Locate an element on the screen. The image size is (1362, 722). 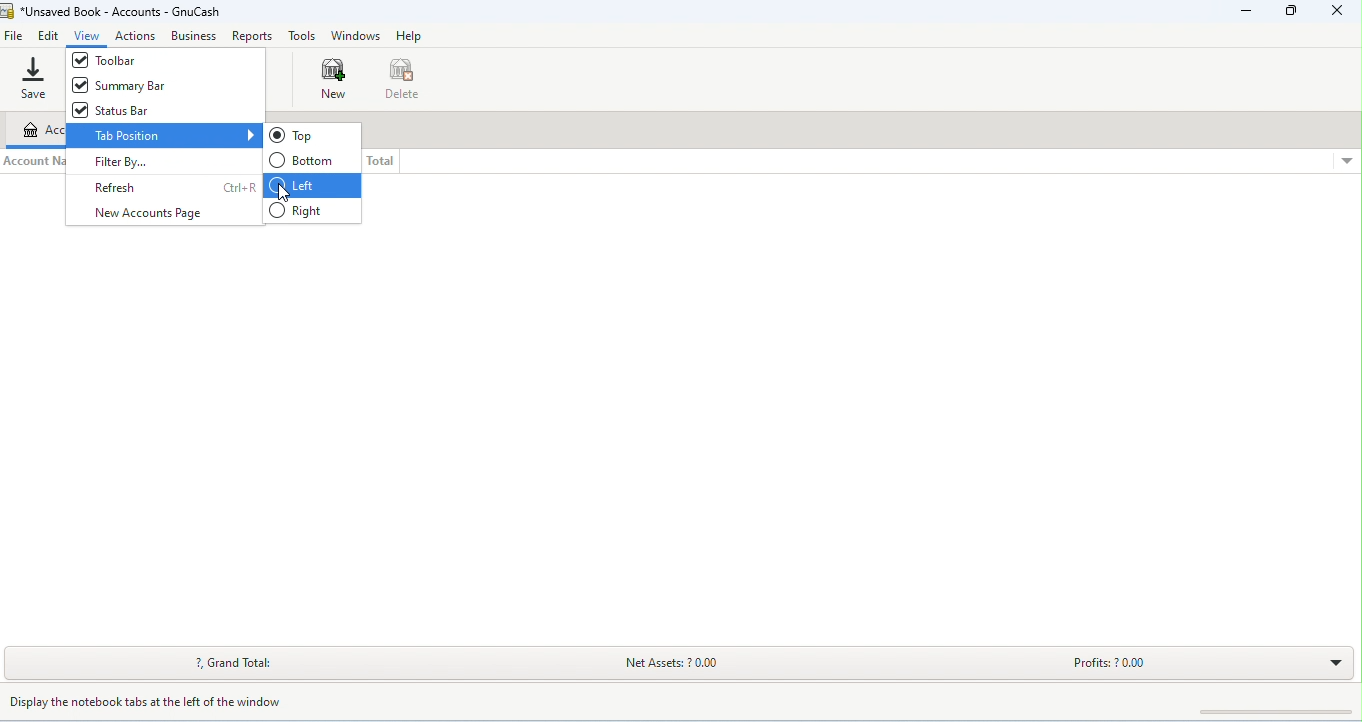
grand total is located at coordinates (227, 662).